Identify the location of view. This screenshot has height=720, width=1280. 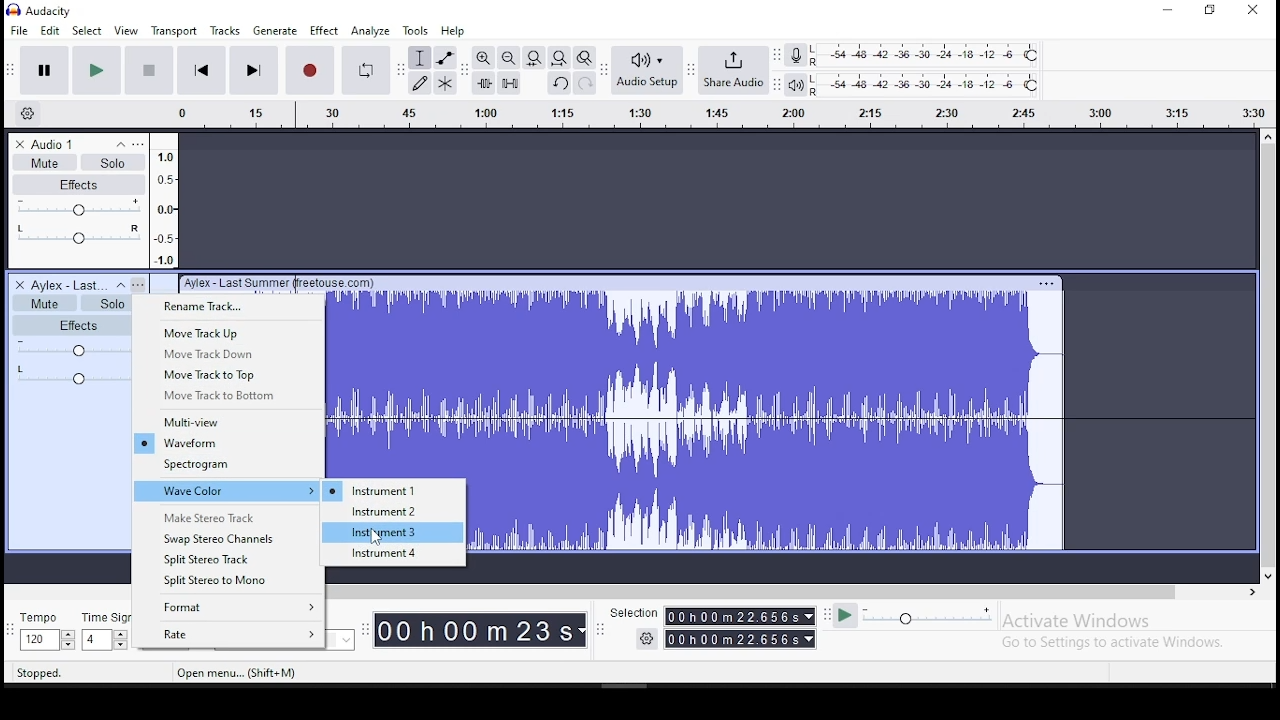
(127, 31).